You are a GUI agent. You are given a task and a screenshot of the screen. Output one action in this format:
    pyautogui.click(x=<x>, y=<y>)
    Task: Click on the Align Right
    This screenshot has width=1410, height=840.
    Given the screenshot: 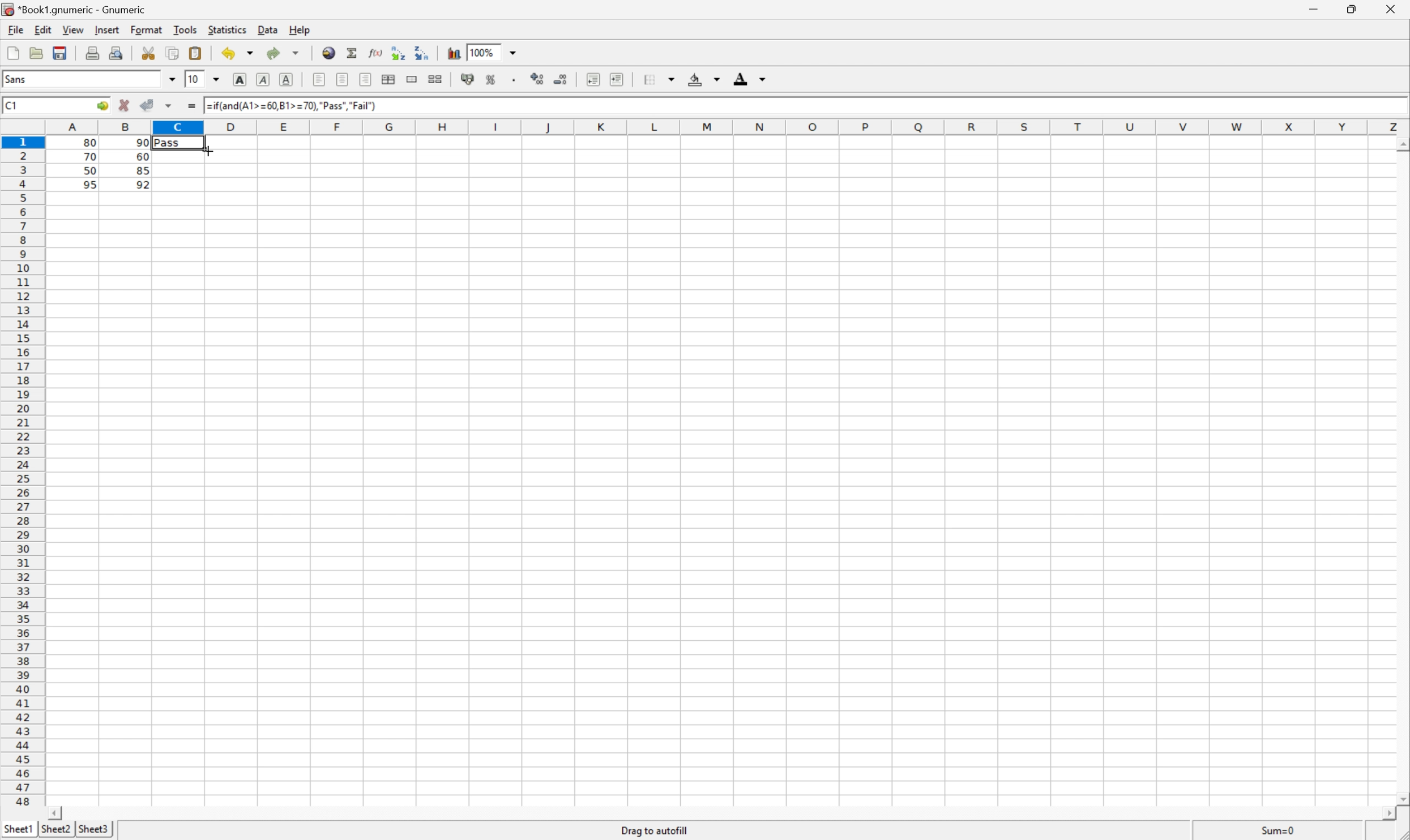 What is the action you would take?
    pyautogui.click(x=318, y=80)
    